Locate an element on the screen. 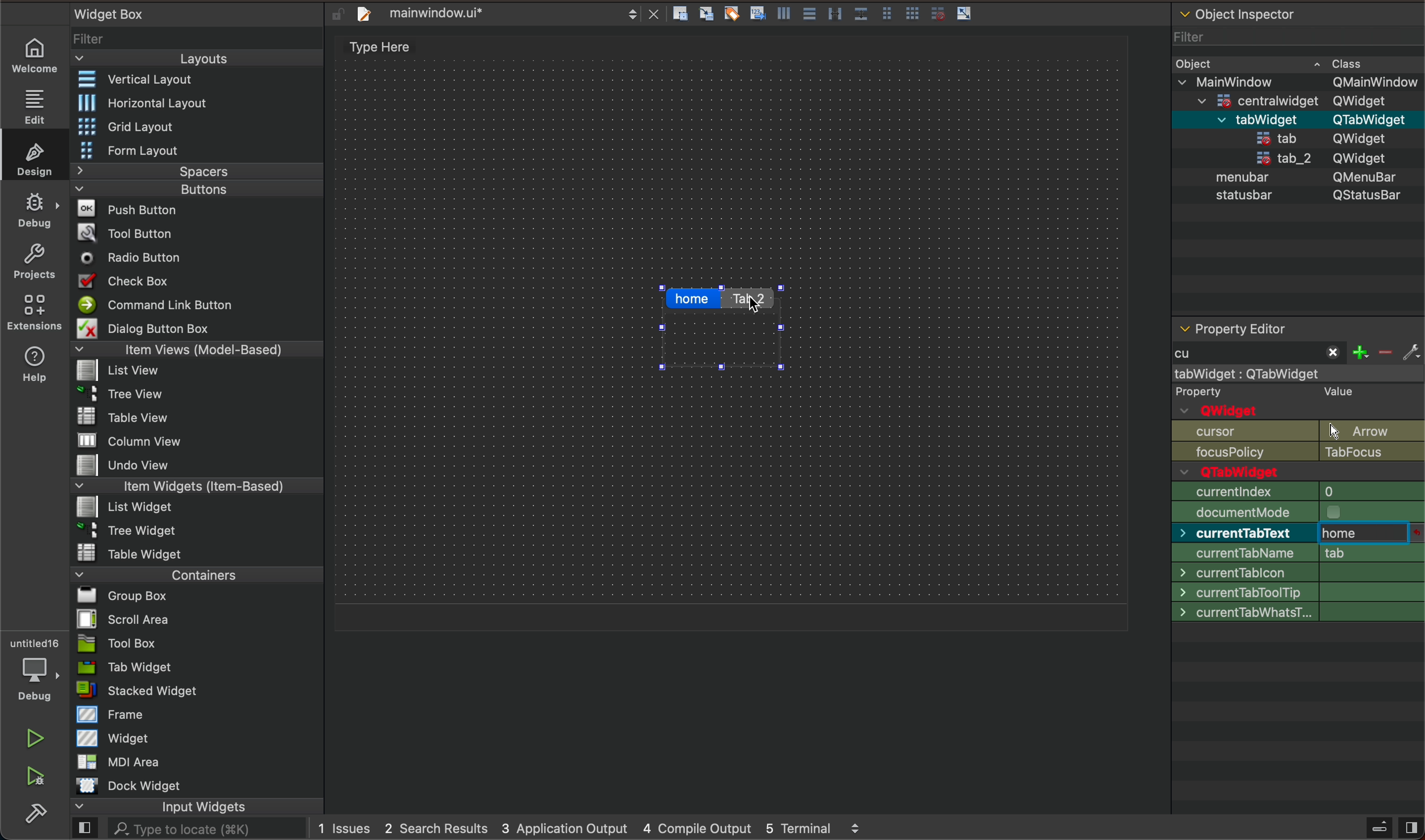 The width and height of the screenshot is (1425, 840). build is located at coordinates (41, 816).